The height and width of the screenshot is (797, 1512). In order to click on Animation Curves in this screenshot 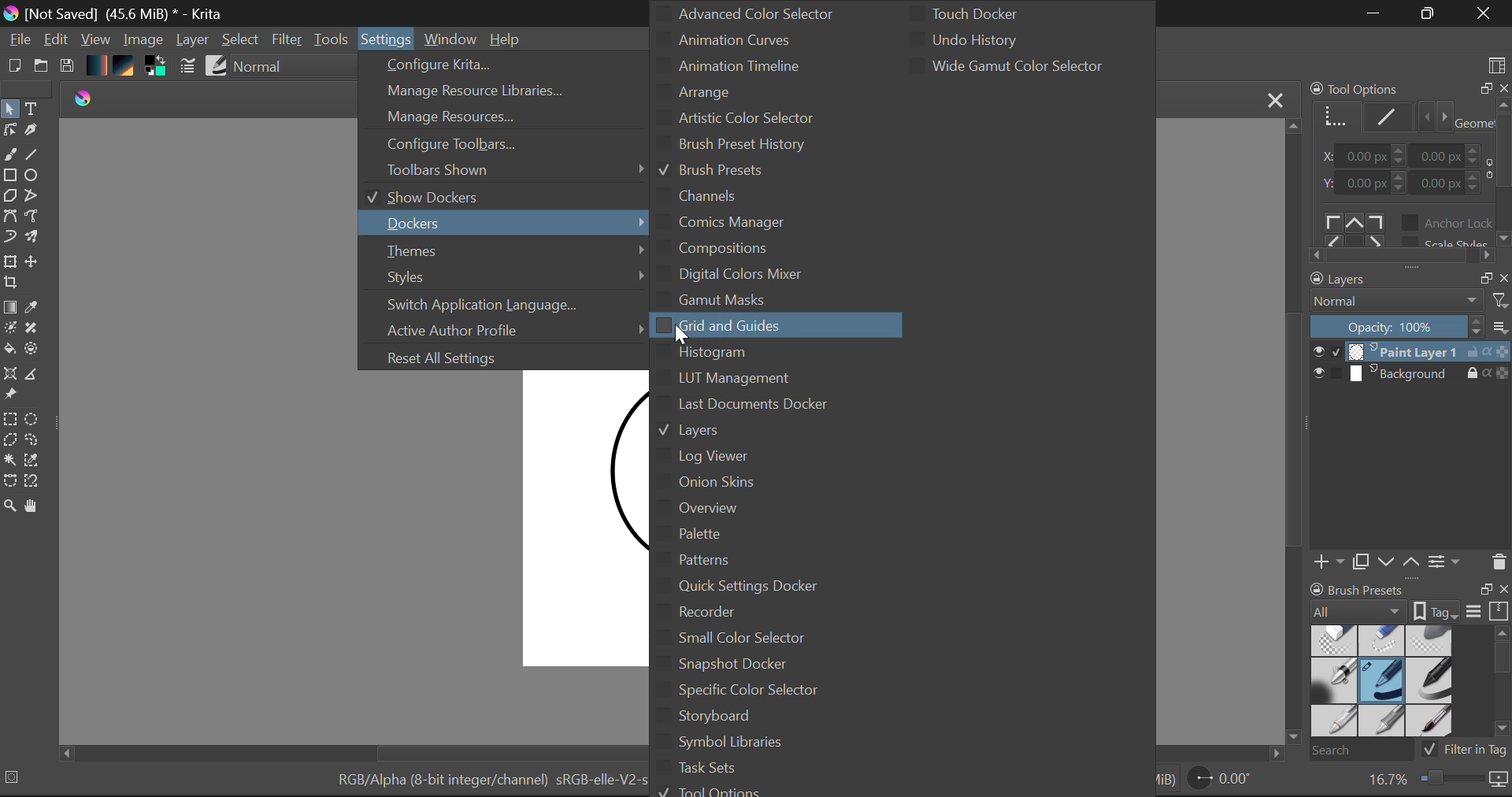, I will do `click(762, 38)`.